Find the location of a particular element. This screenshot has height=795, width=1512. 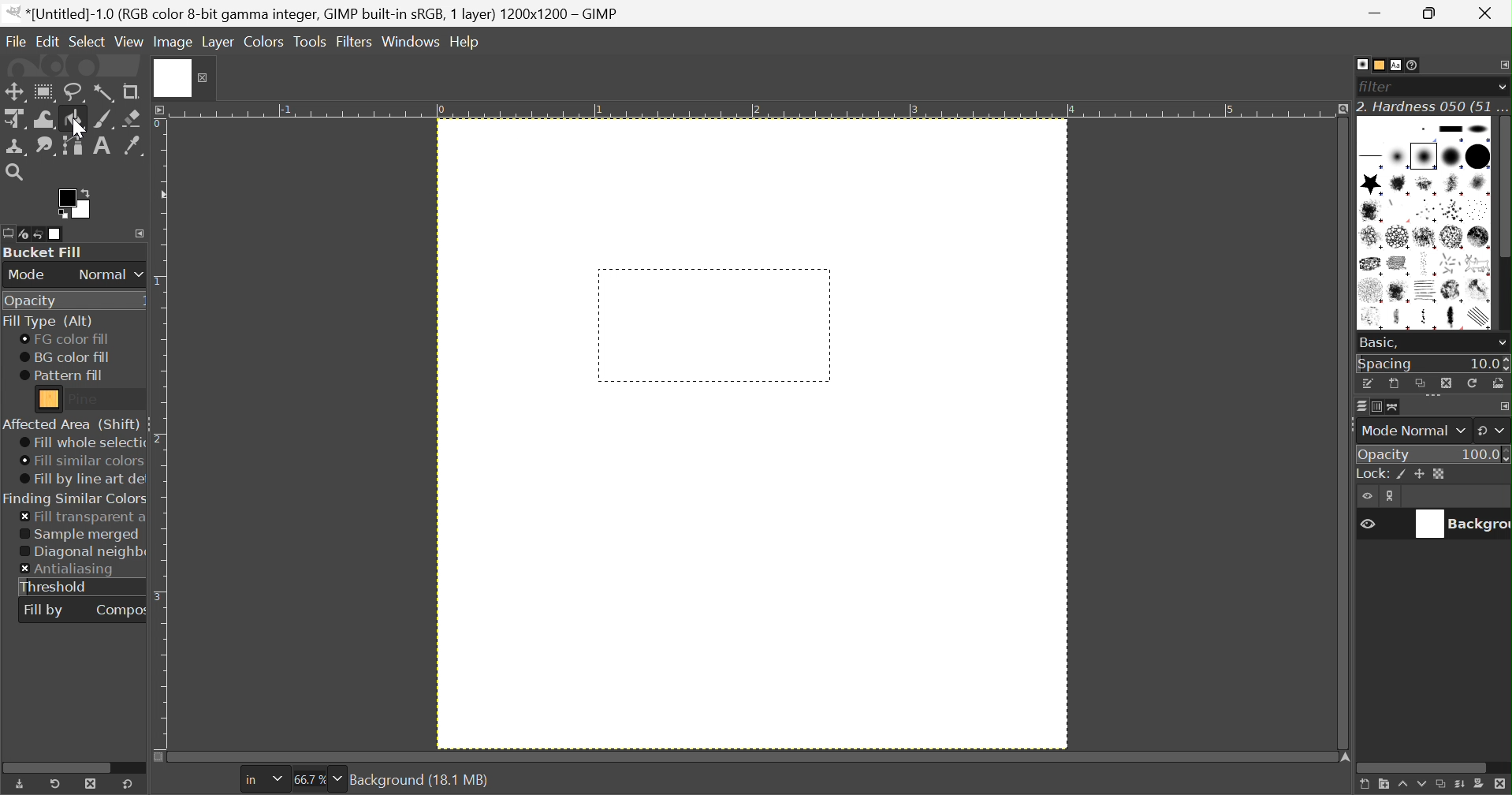

Tool Options is located at coordinates (9, 233).